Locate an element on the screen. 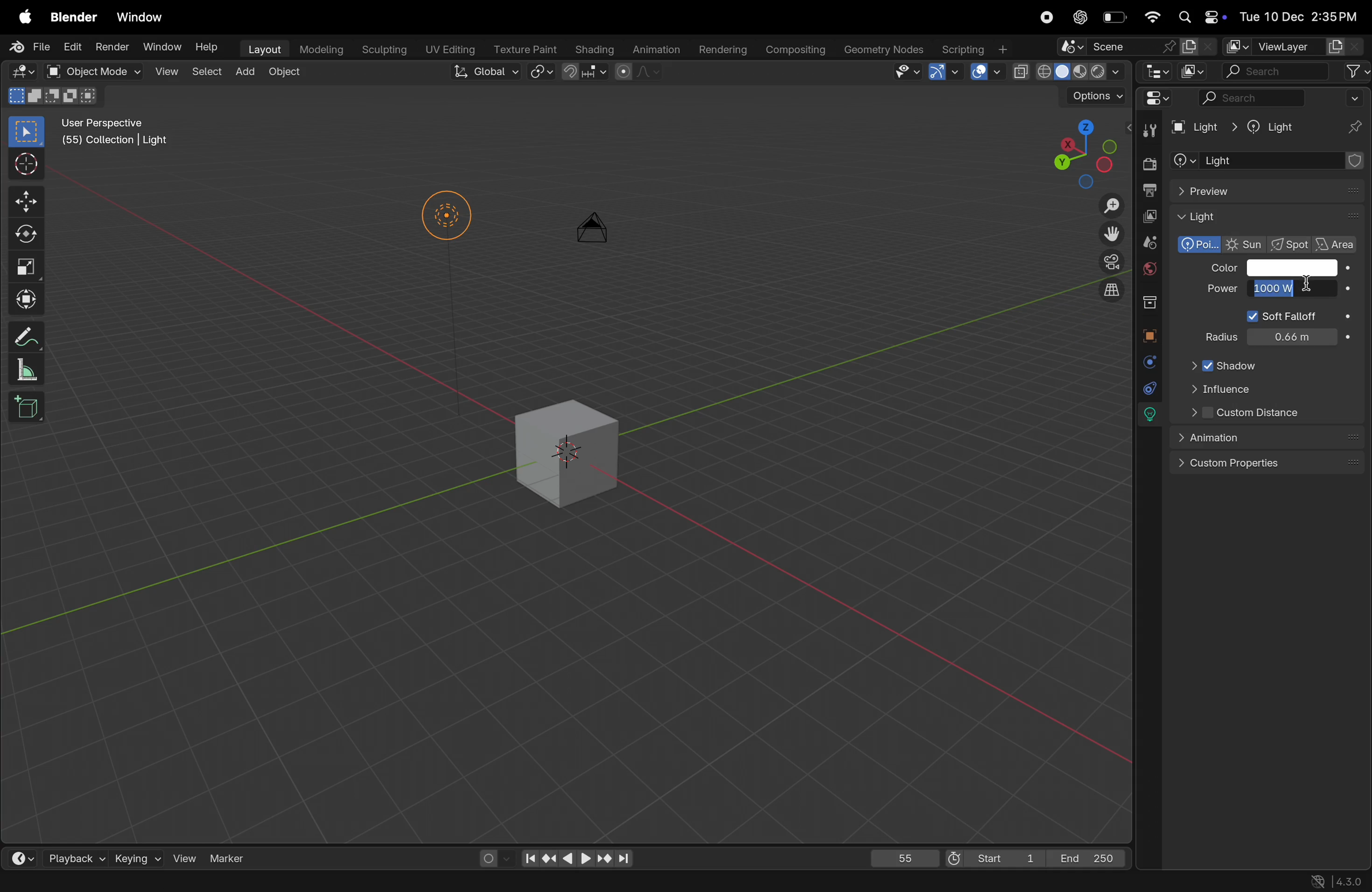  shading is located at coordinates (595, 48).